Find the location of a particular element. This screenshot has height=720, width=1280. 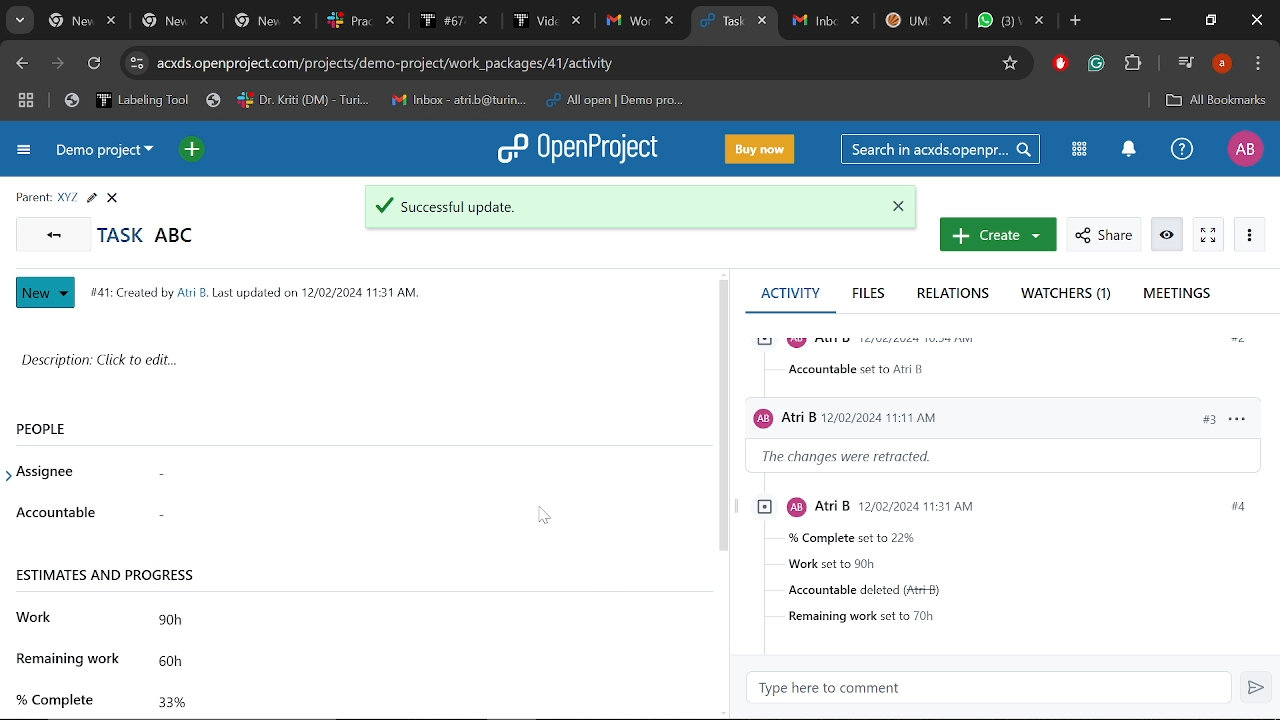

Relations is located at coordinates (953, 295).